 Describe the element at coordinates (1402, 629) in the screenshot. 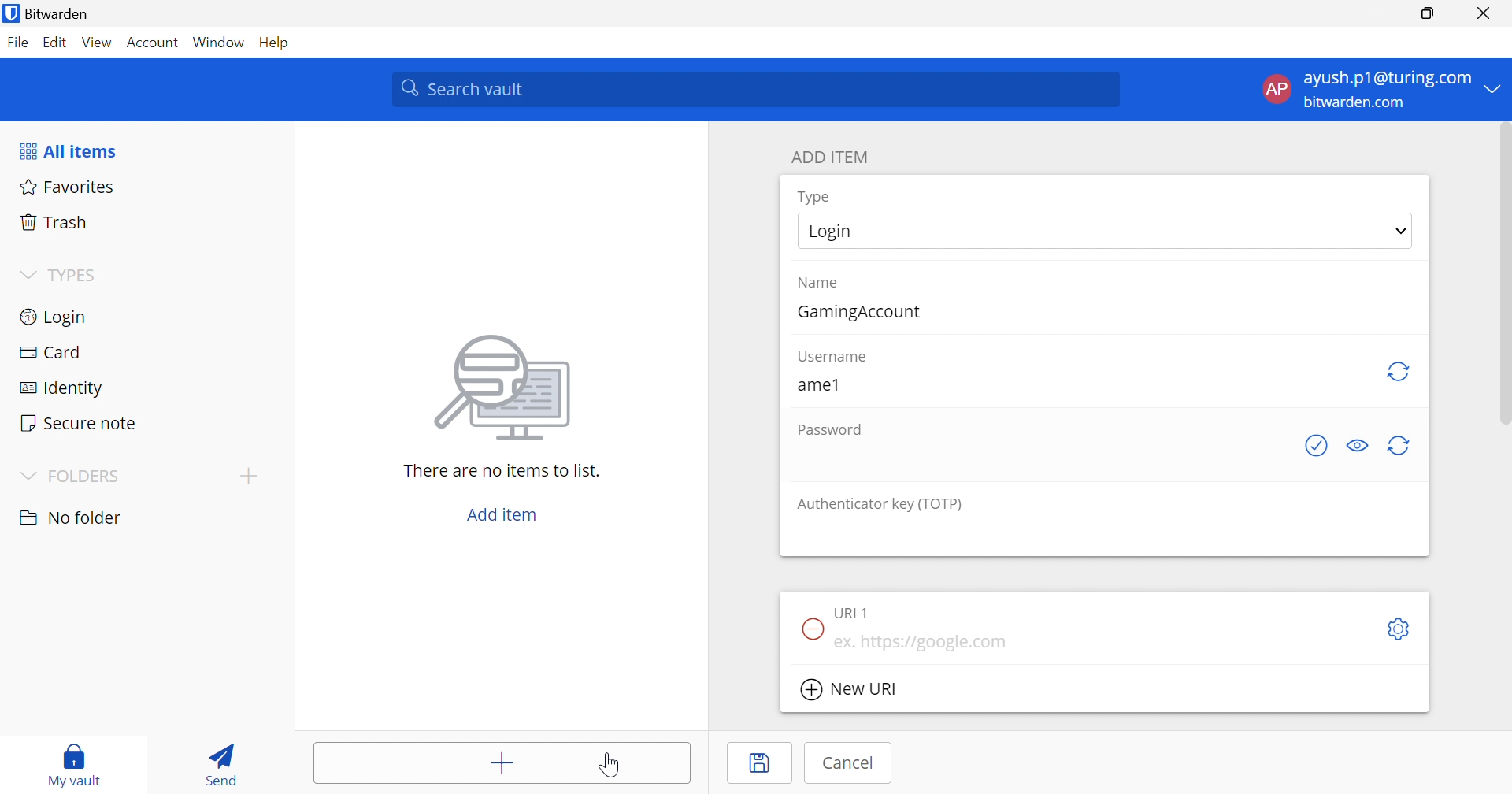

I see `Settings` at that location.